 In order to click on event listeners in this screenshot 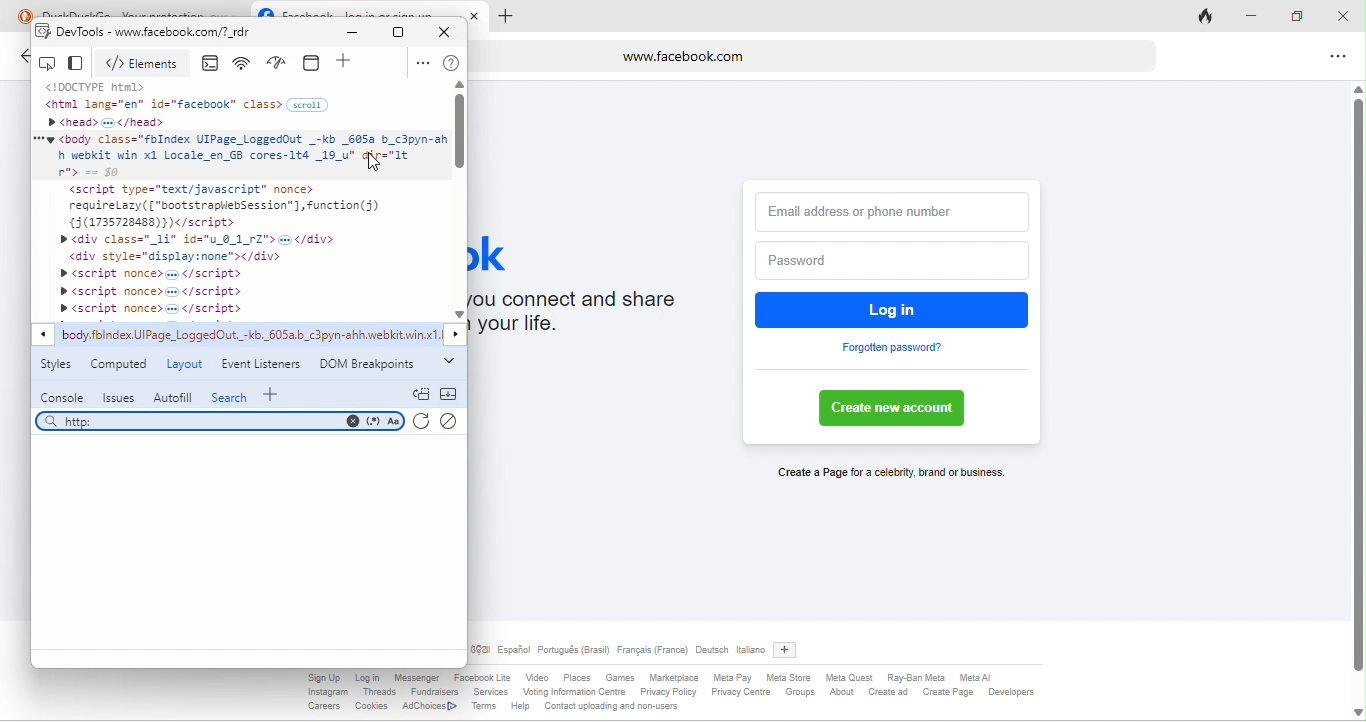, I will do `click(264, 363)`.